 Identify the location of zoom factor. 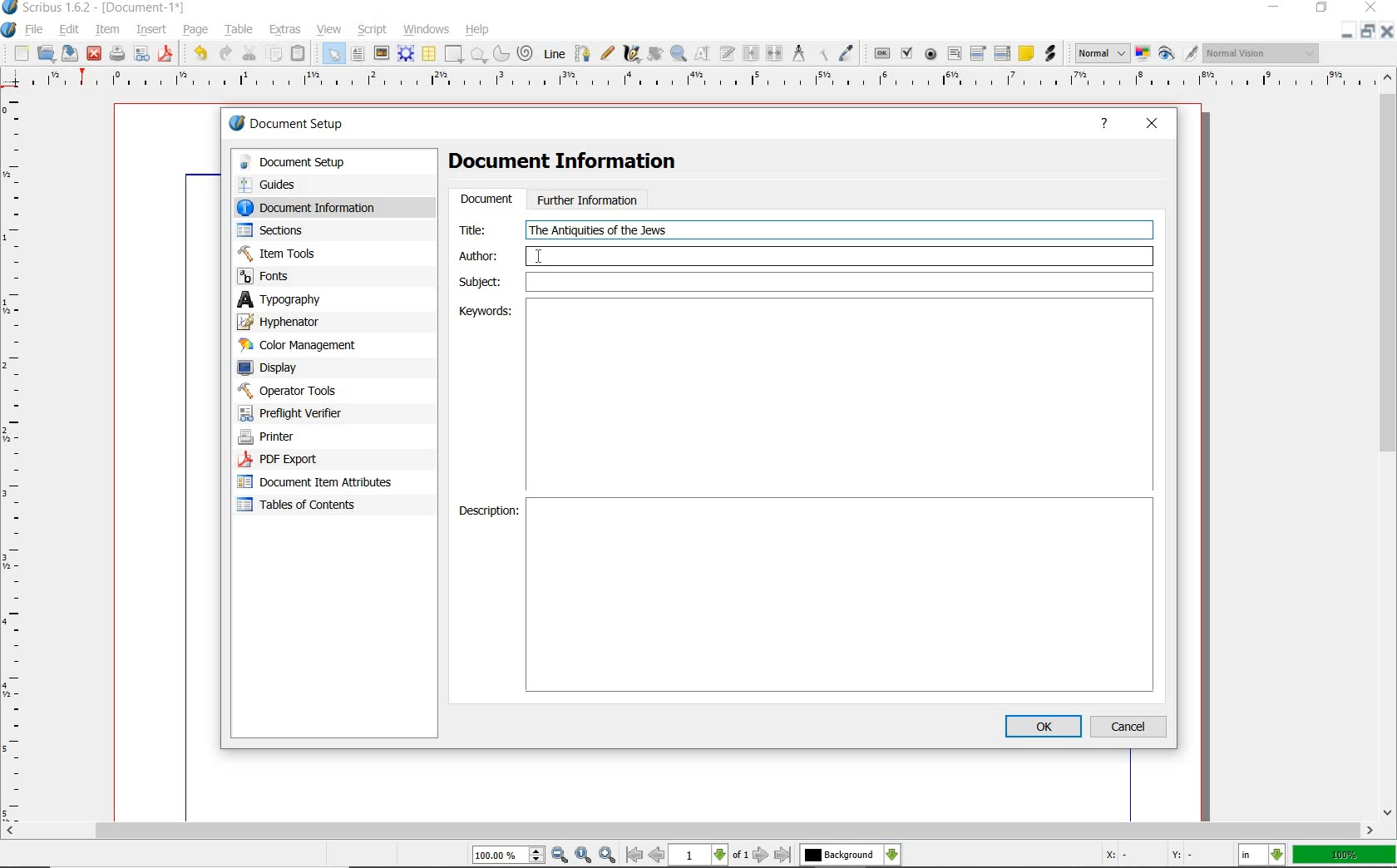
(1343, 856).